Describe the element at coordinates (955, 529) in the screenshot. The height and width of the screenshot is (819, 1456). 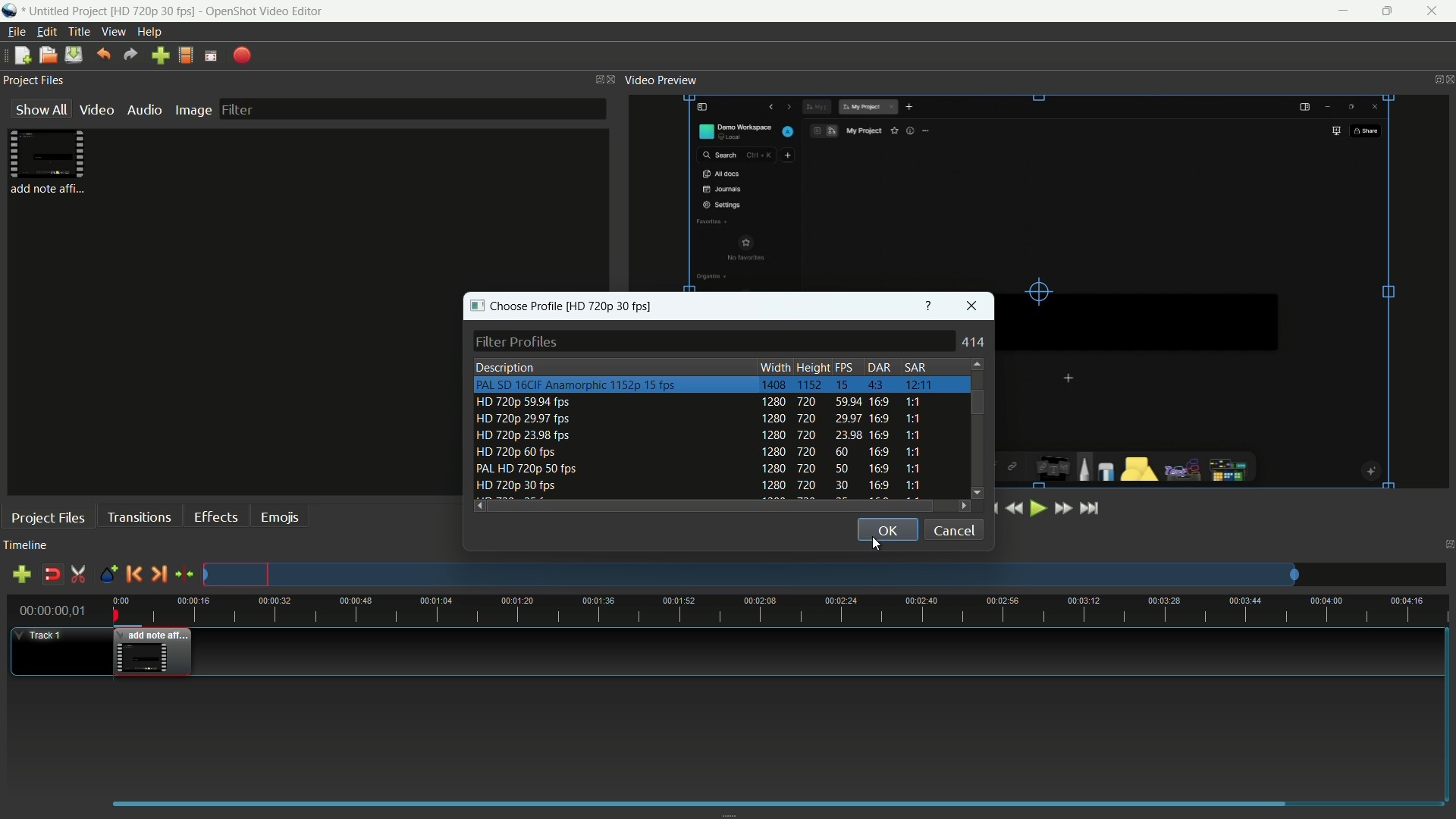
I see `cancel` at that location.